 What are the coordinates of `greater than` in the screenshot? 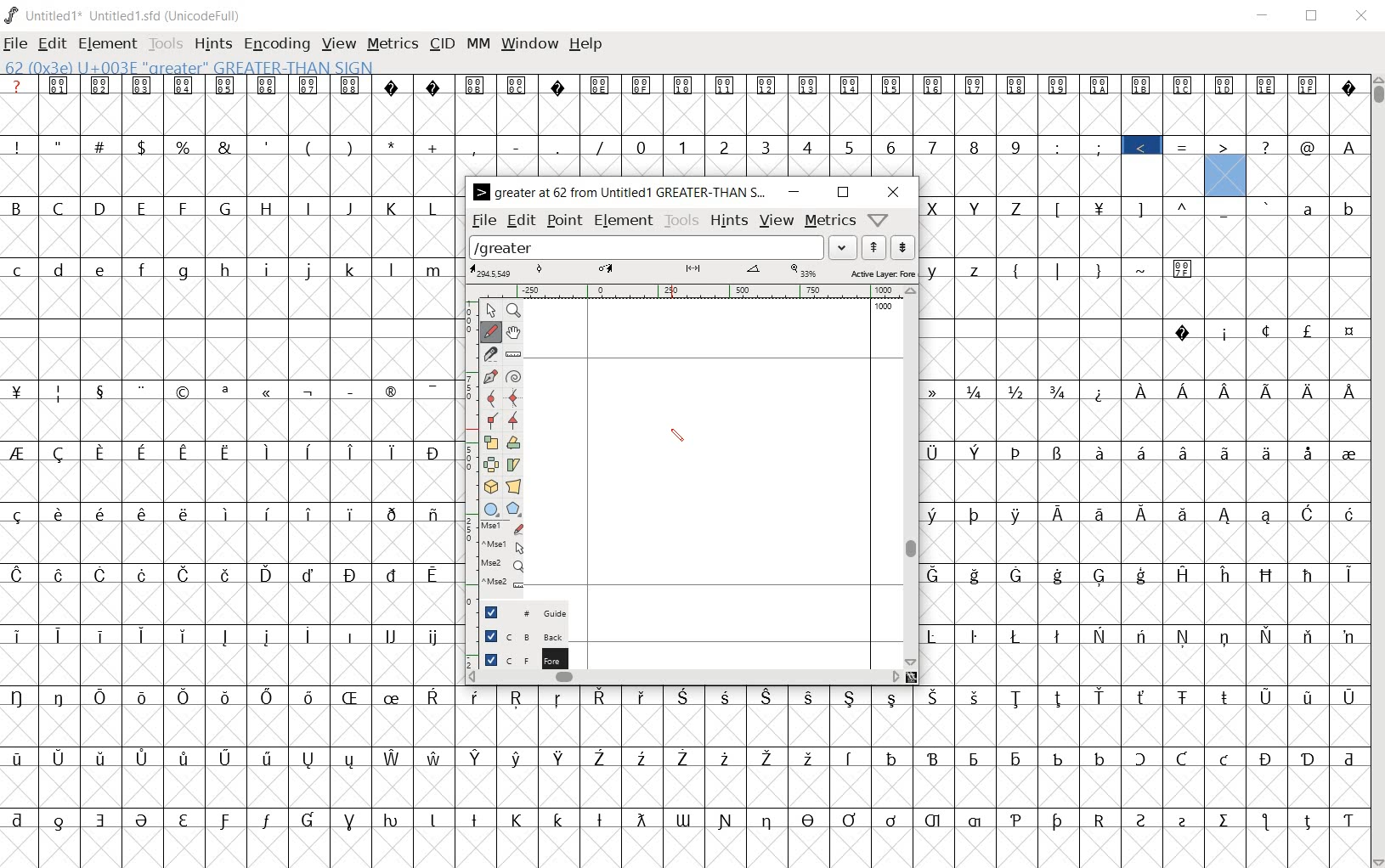 It's located at (1225, 166).